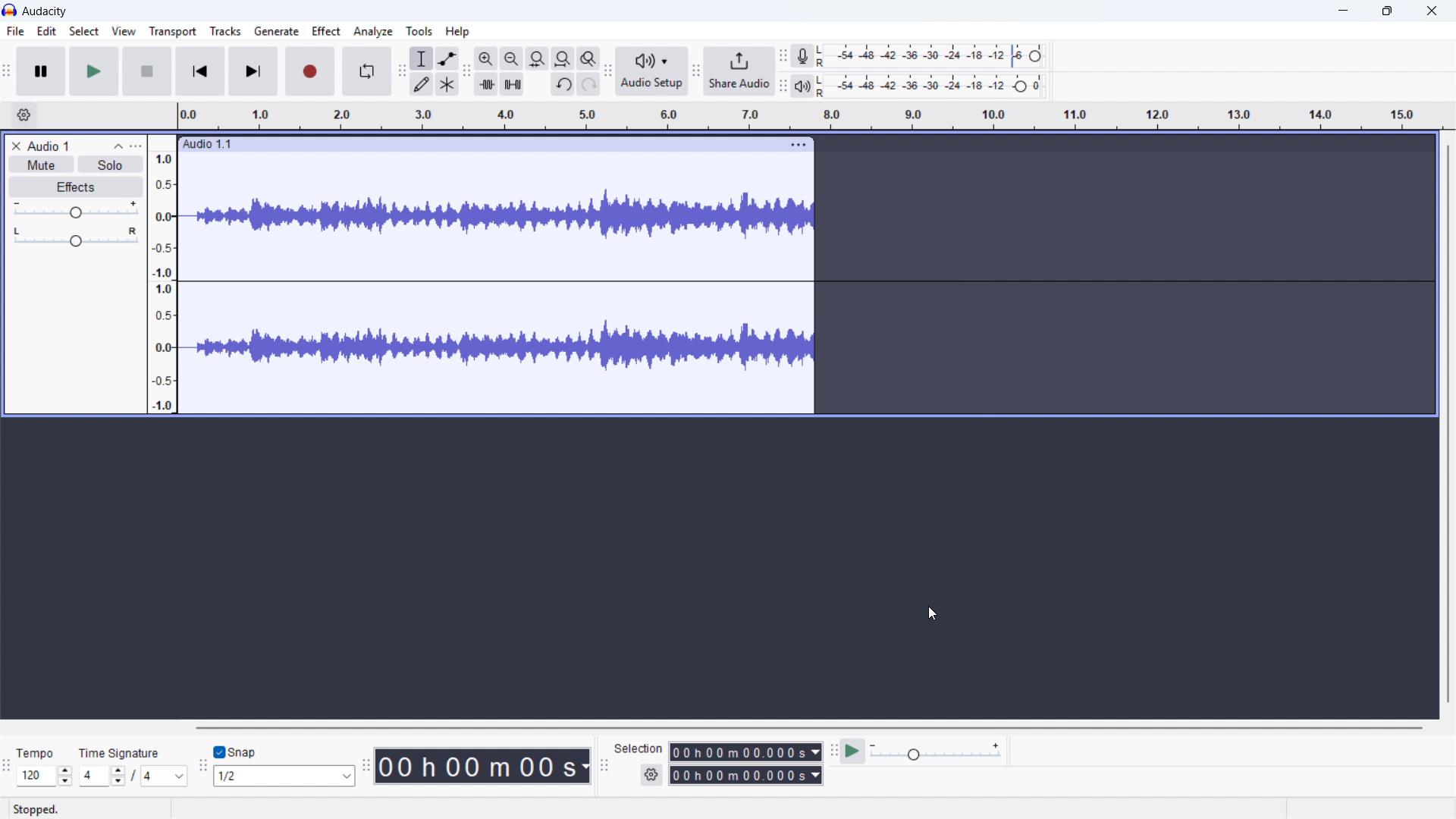  What do you see at coordinates (421, 58) in the screenshot?
I see `Selection tool ` at bounding box center [421, 58].